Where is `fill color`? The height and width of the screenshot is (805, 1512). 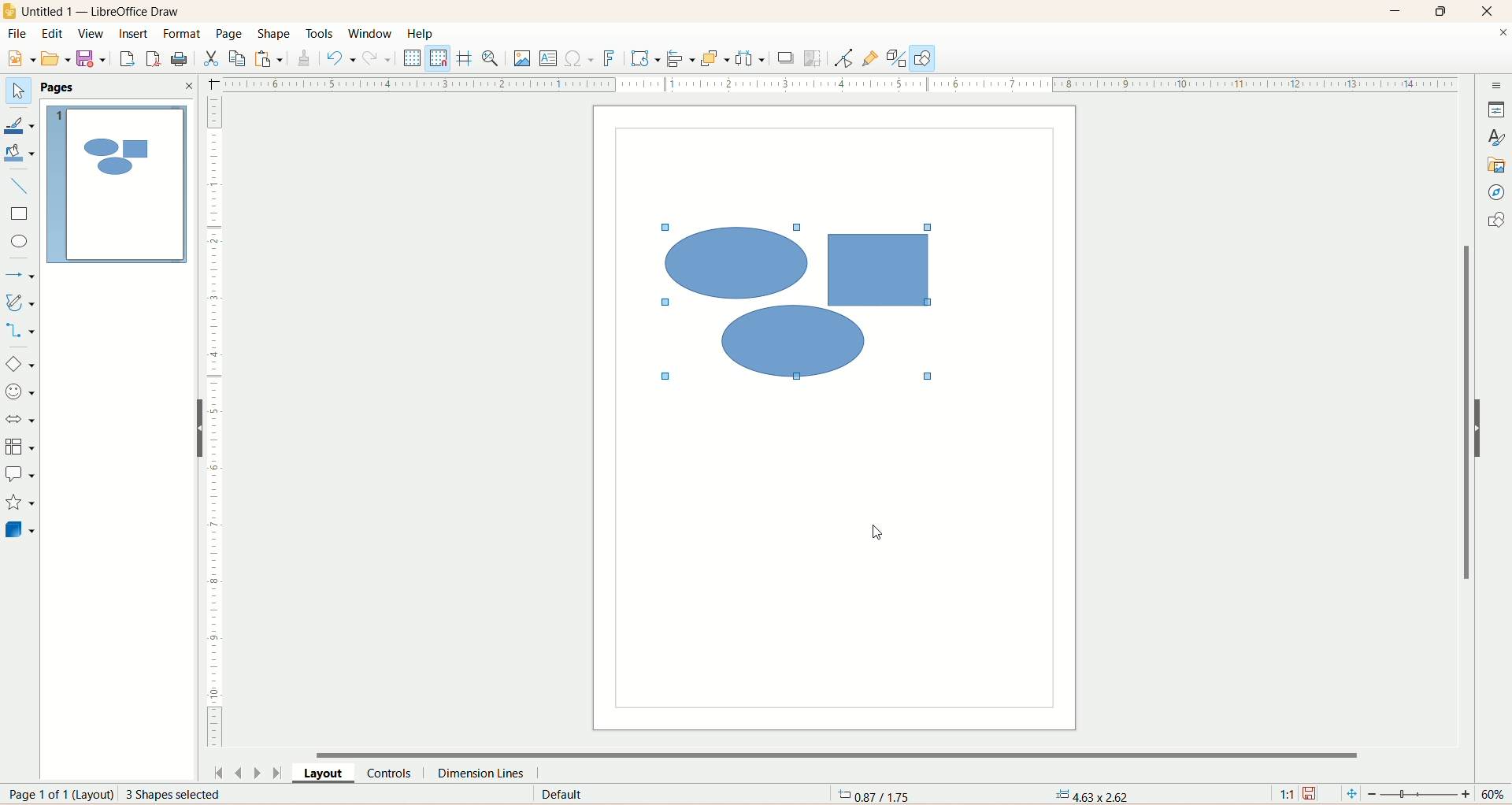
fill color is located at coordinates (22, 154).